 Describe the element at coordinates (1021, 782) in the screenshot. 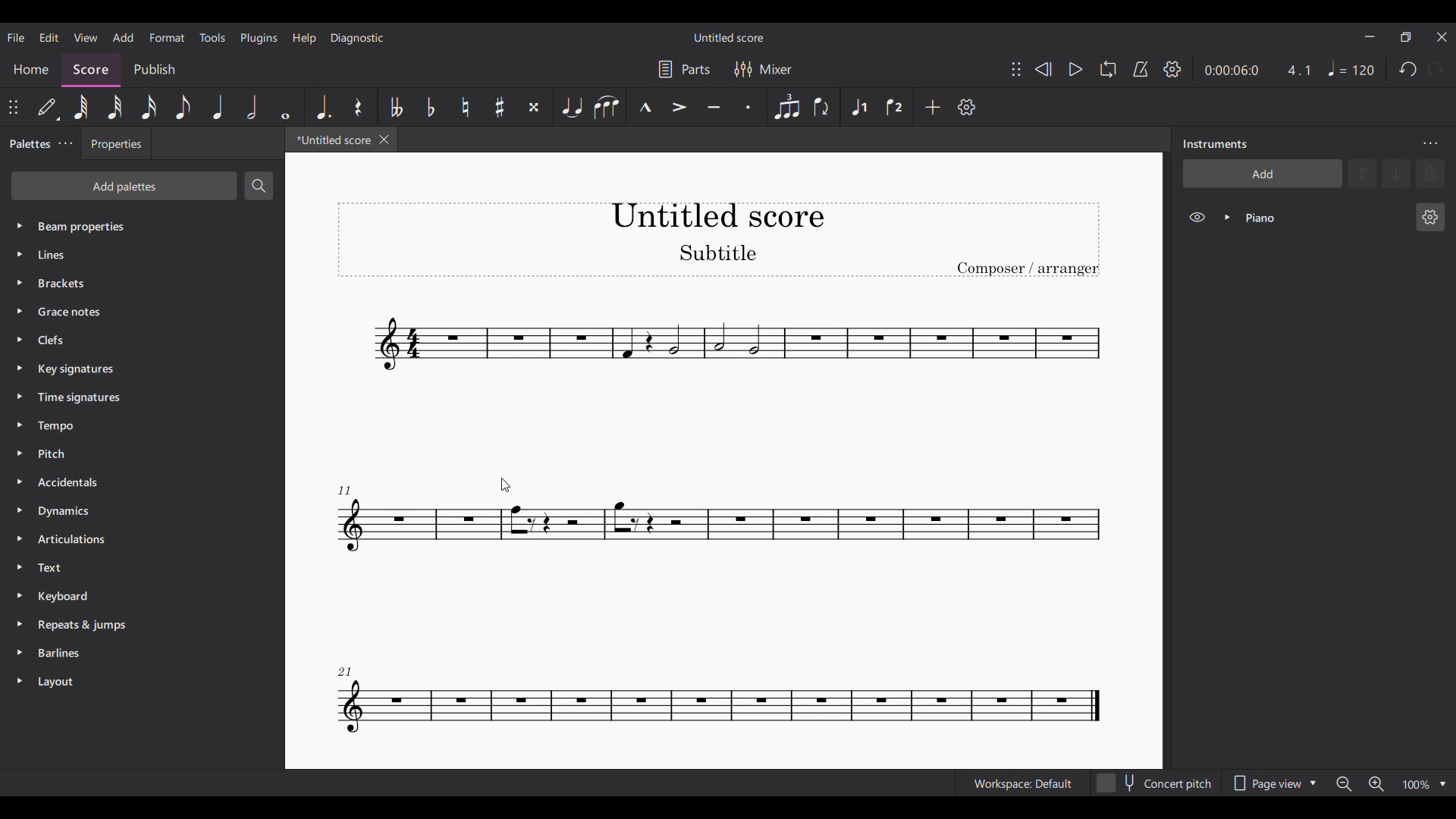

I see `Workspace default` at that location.